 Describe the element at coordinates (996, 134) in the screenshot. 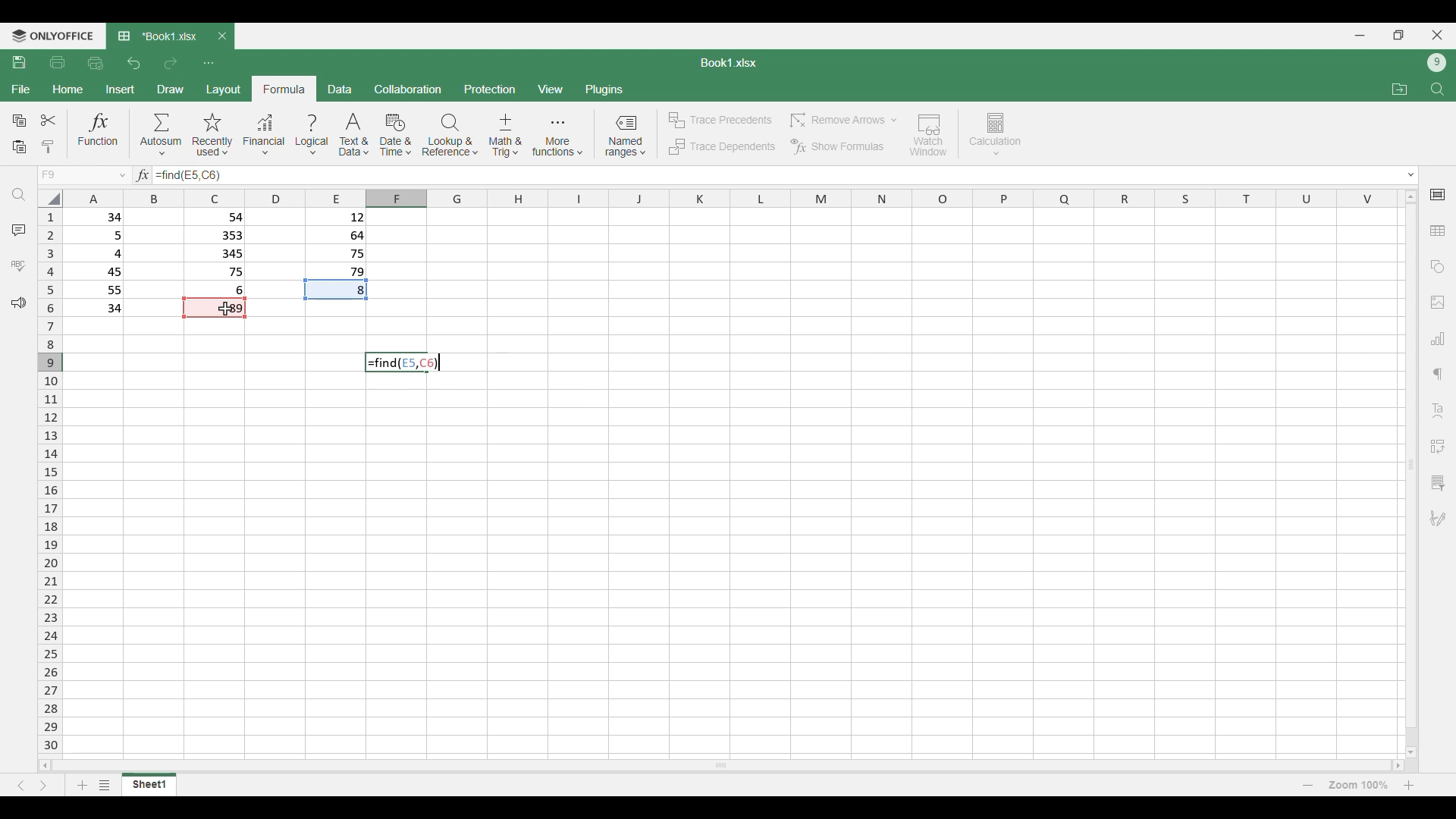

I see `Calculation options` at that location.